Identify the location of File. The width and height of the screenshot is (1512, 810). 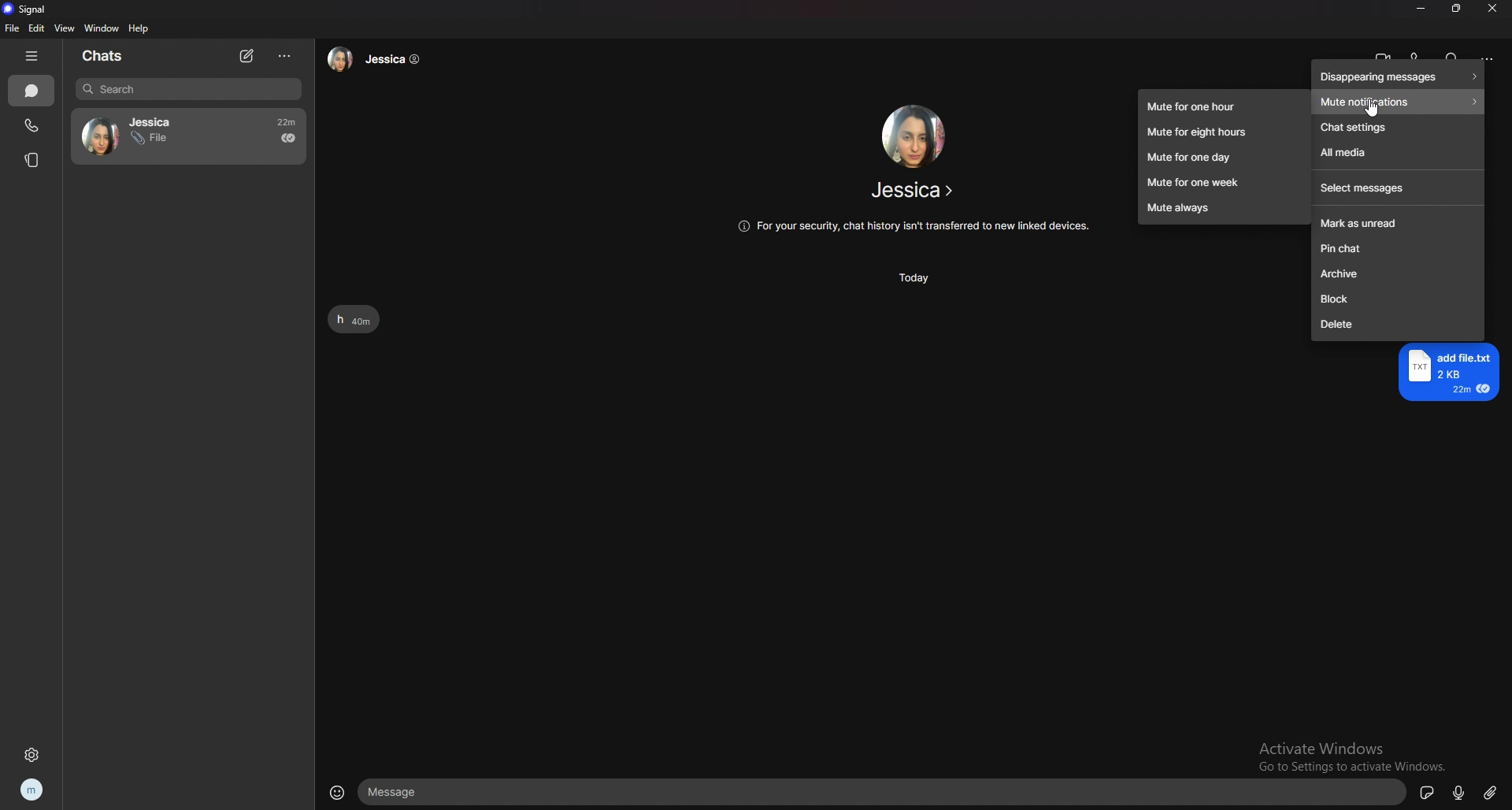
(149, 140).